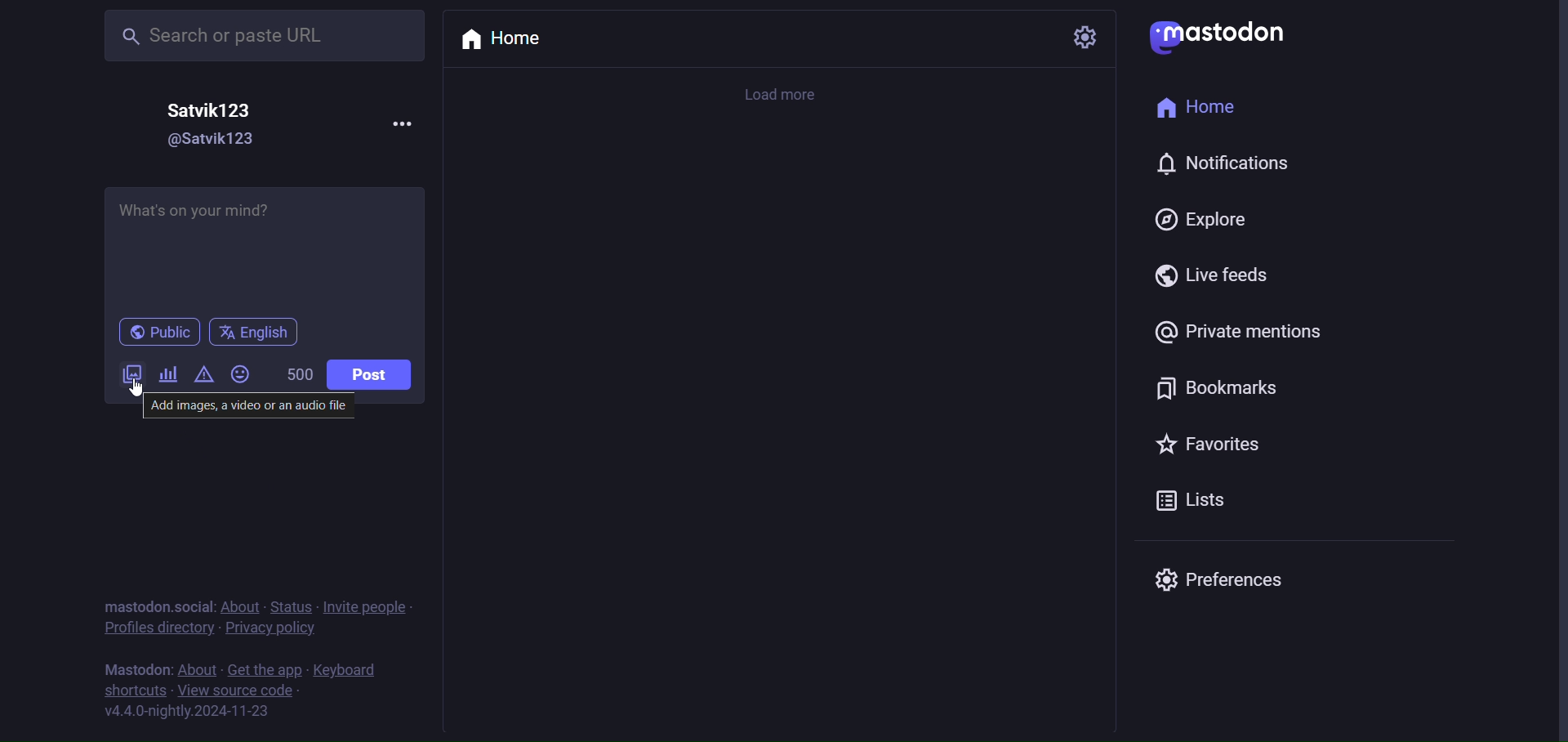 The width and height of the screenshot is (1568, 742). I want to click on What's on your mind?, so click(265, 244).